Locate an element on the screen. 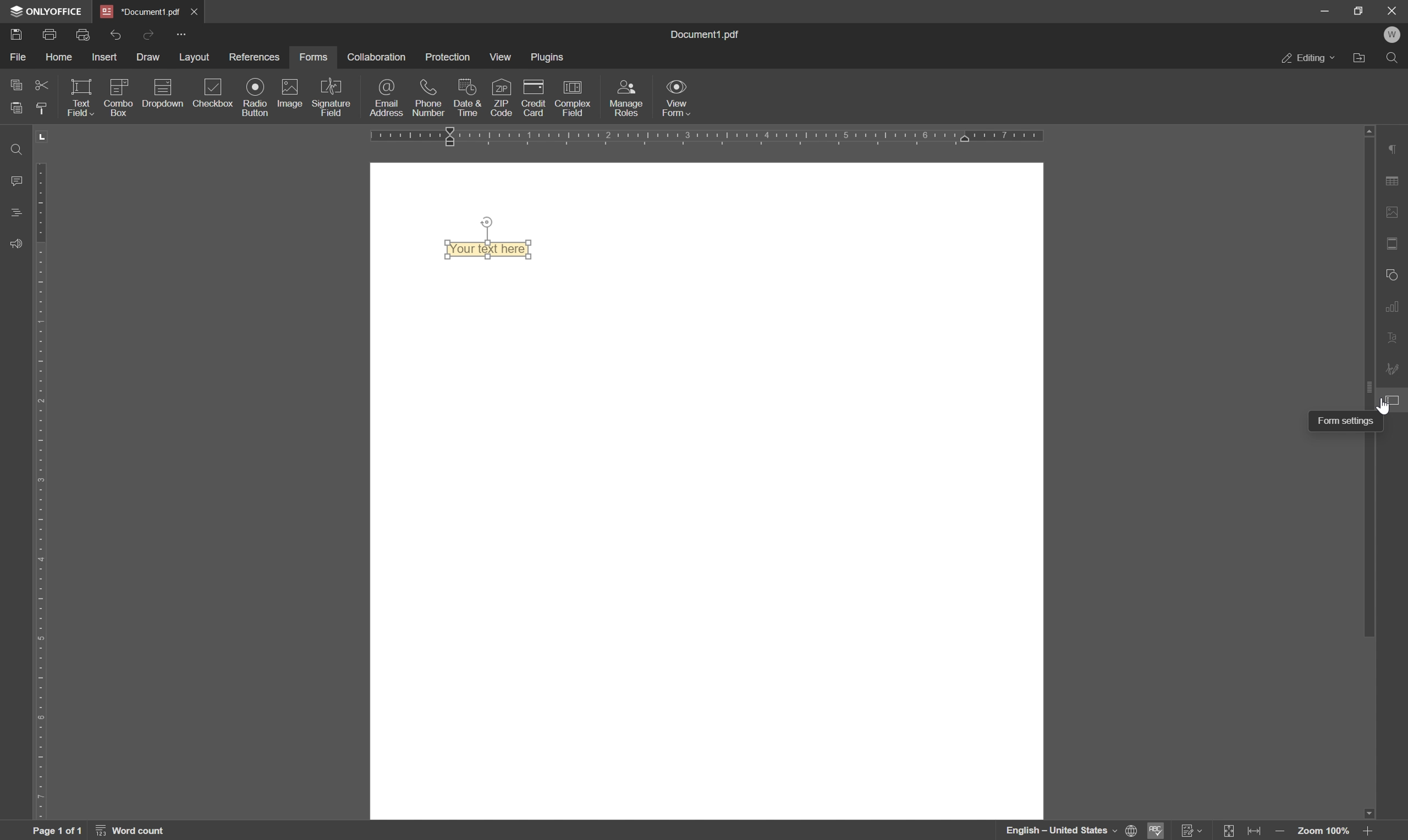 The width and height of the screenshot is (1408, 840). ruler is located at coordinates (45, 474).